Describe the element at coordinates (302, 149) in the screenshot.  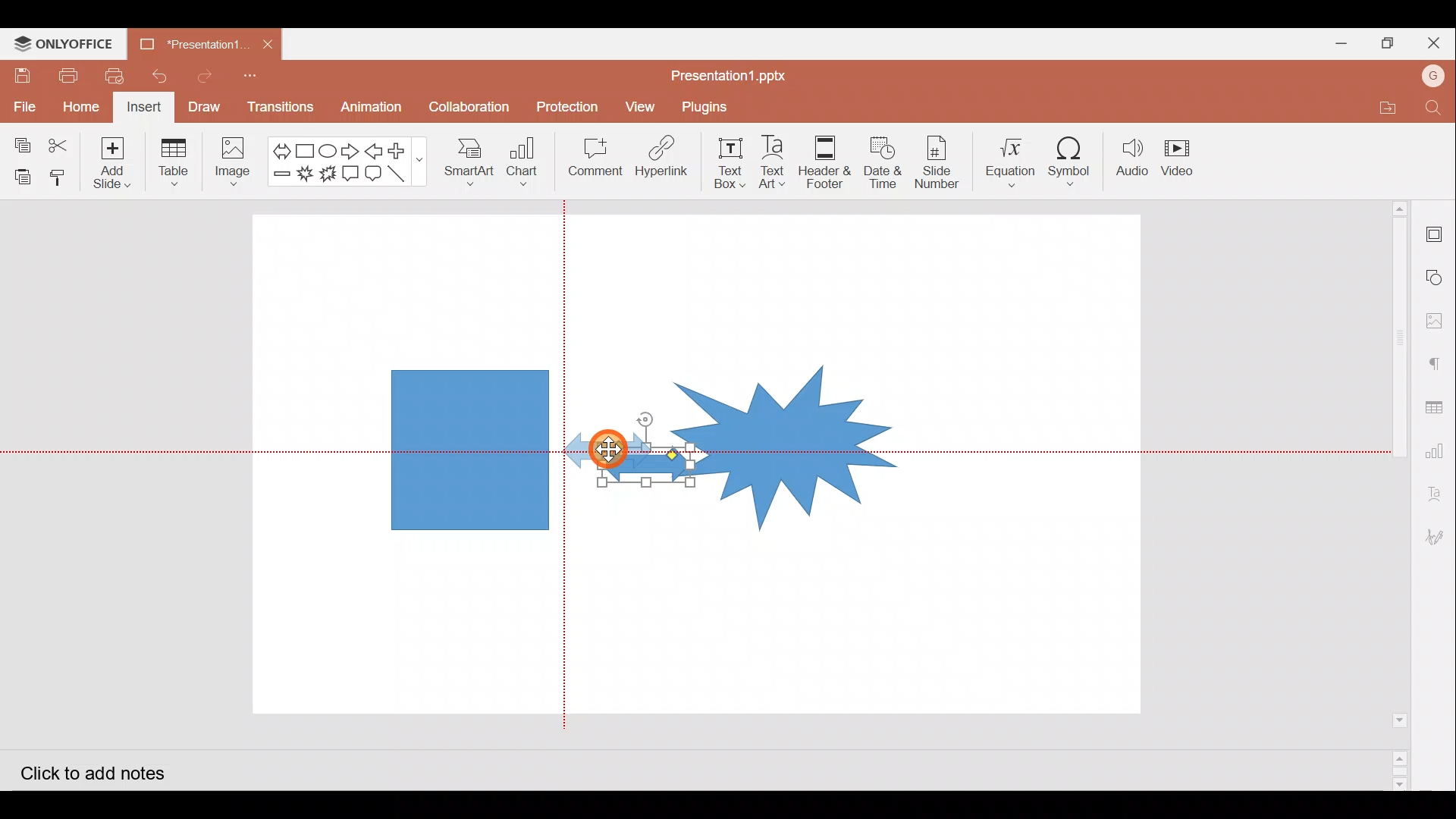
I see `Rectangle` at that location.